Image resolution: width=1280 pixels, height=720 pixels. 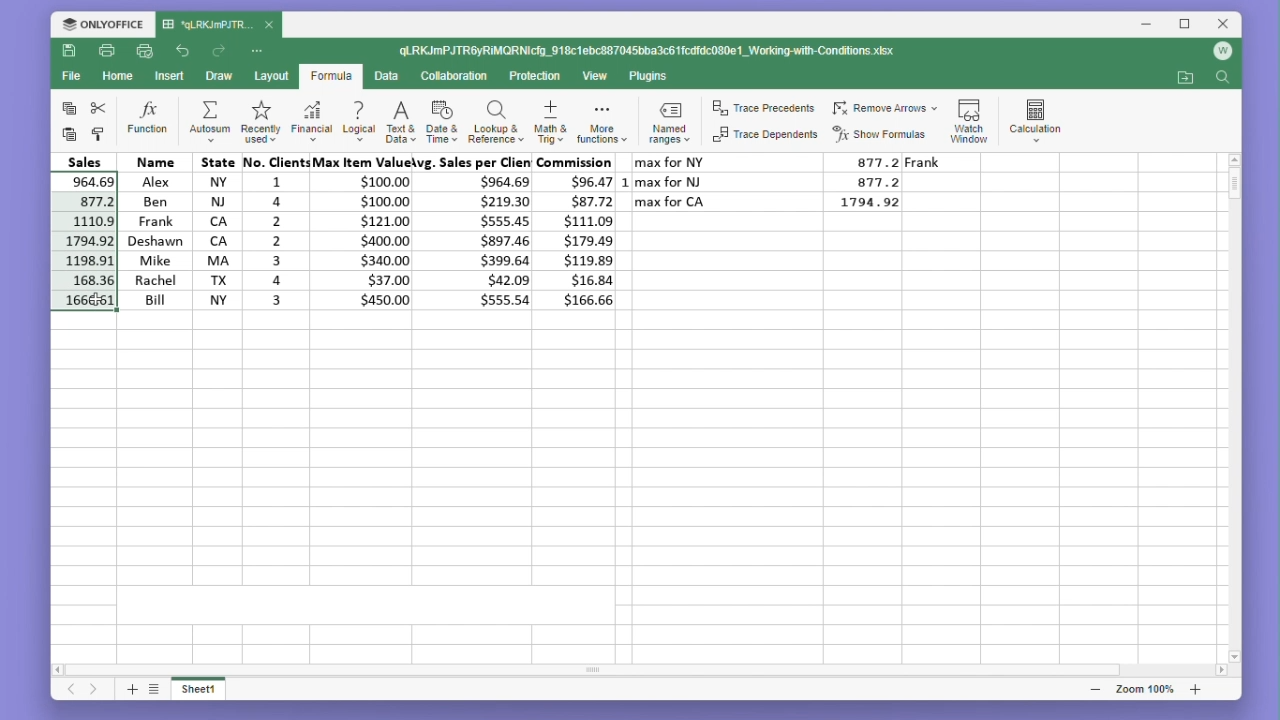 What do you see at coordinates (579, 231) in the screenshot?
I see `commission` at bounding box center [579, 231].